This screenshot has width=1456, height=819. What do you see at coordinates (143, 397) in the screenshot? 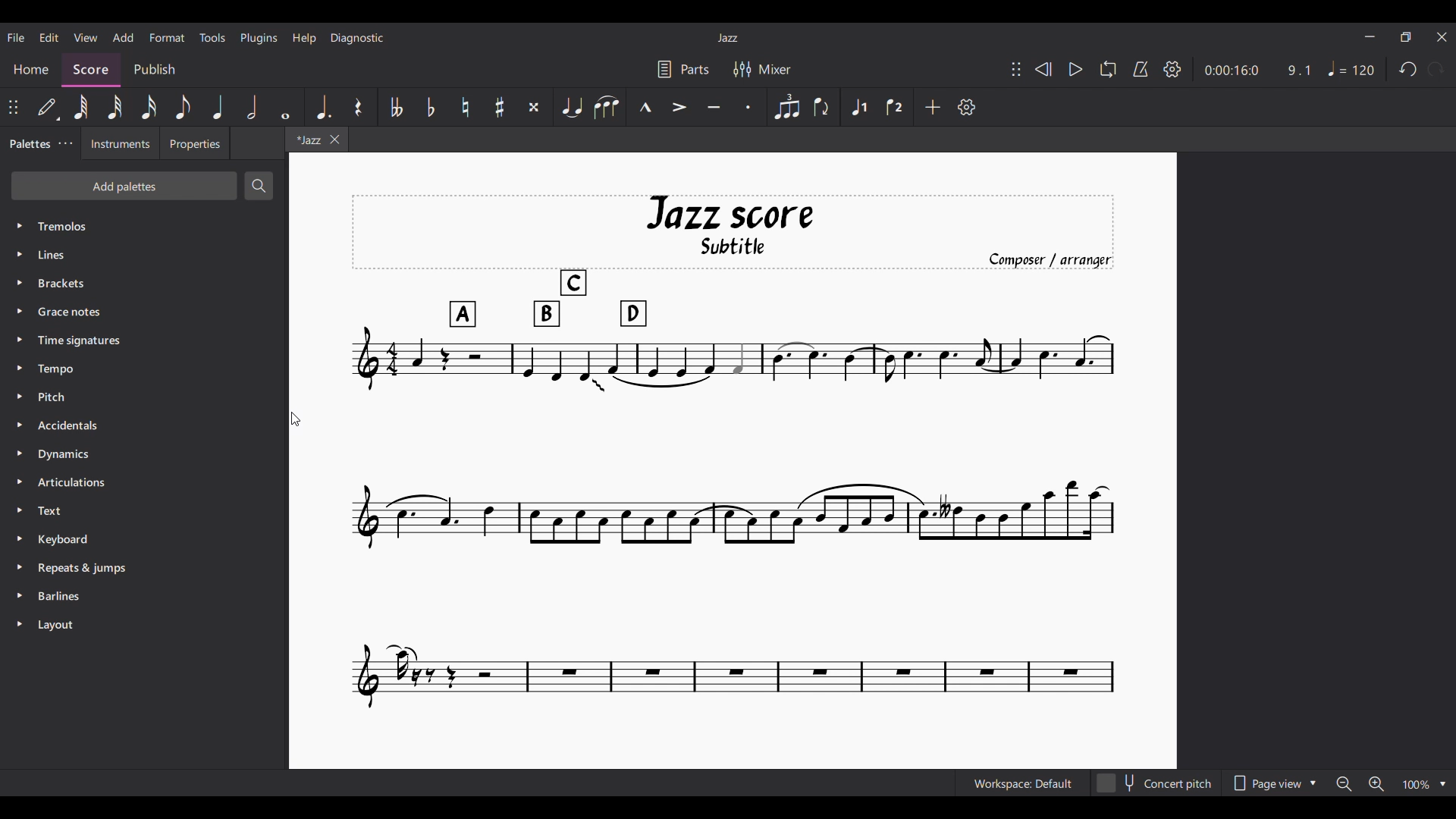
I see `Pitch` at bounding box center [143, 397].